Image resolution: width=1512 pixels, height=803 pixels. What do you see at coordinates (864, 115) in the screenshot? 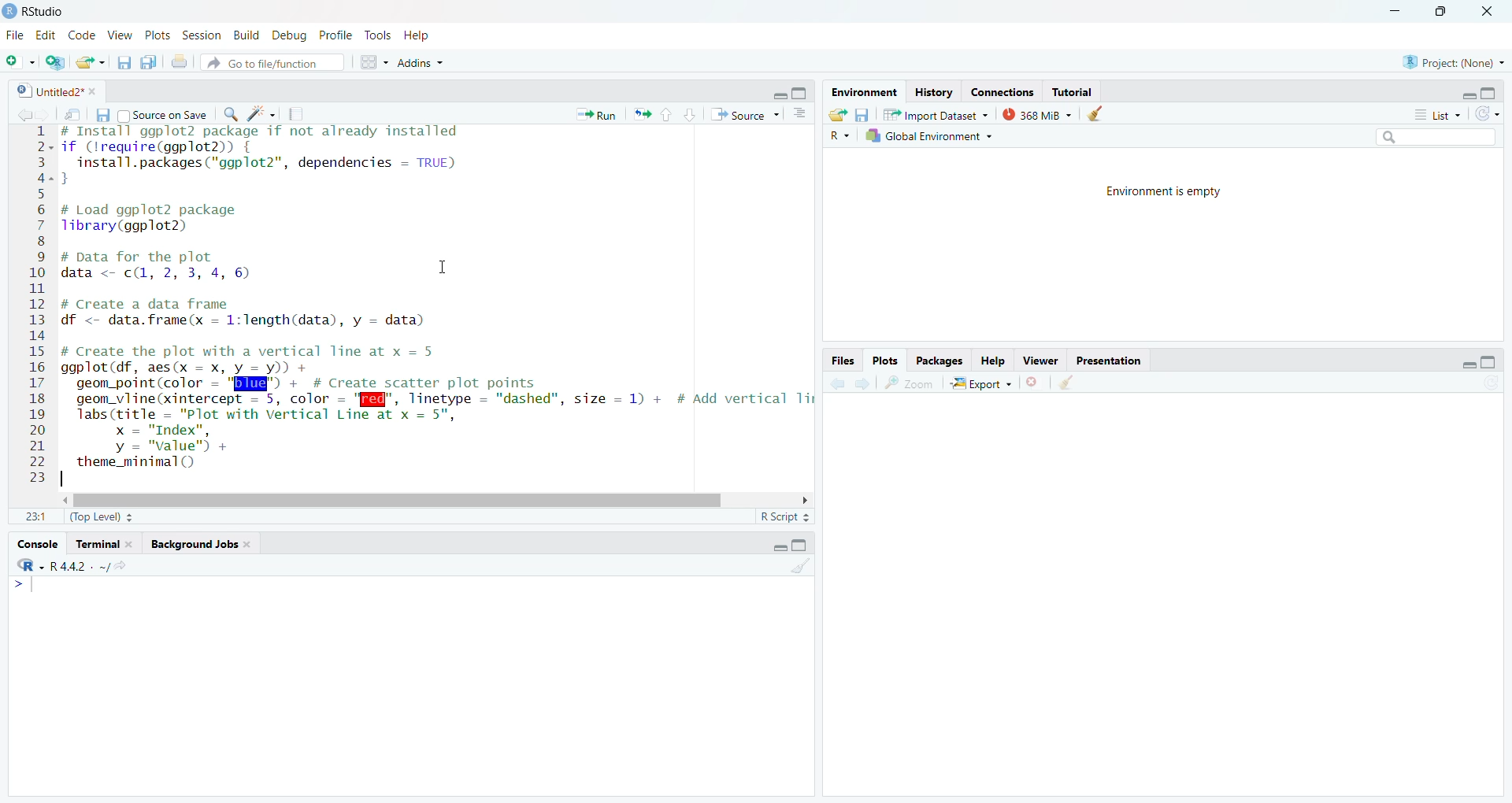
I see `files` at bounding box center [864, 115].